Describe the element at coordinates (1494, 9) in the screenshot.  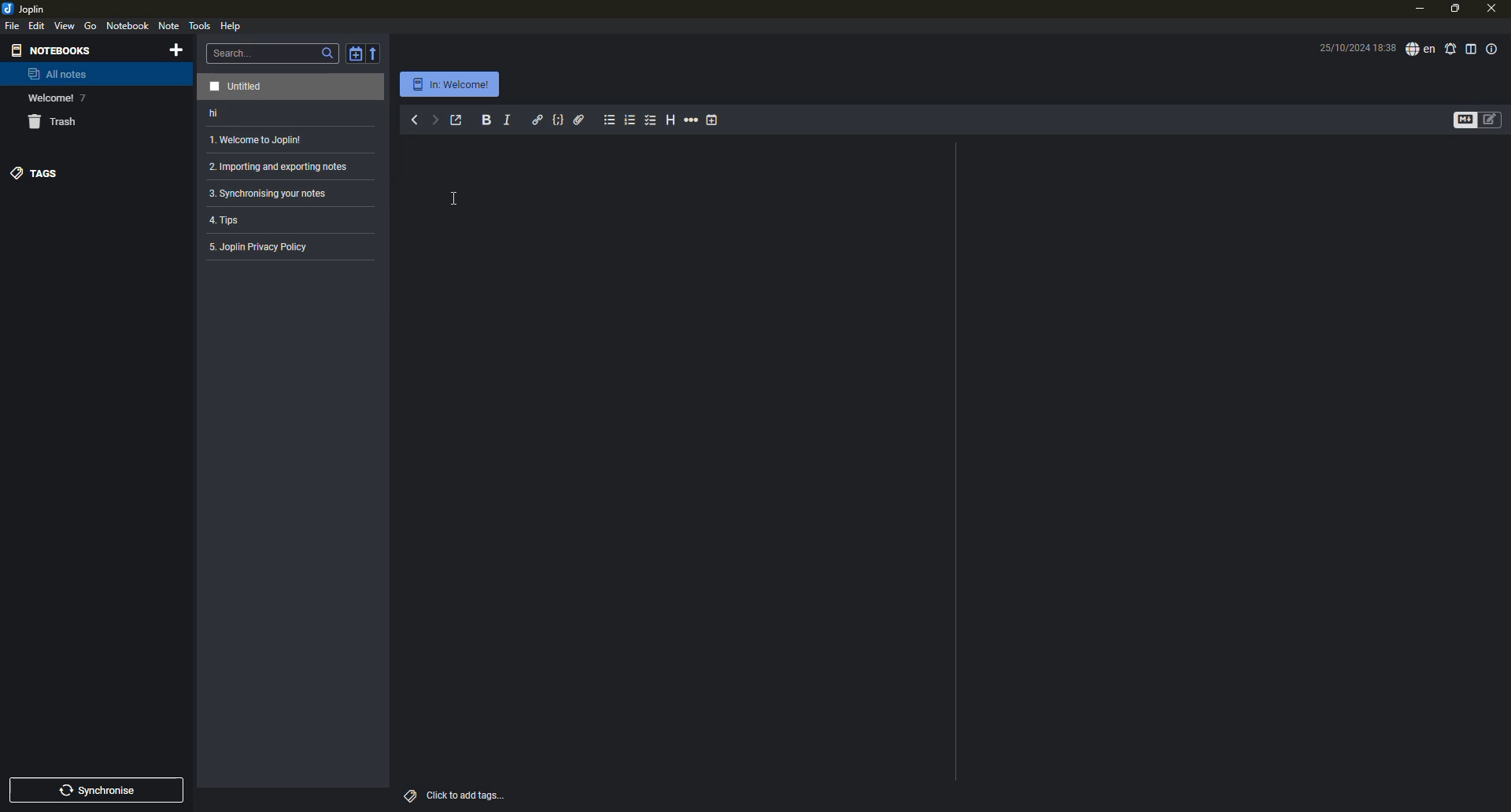
I see `close` at that location.